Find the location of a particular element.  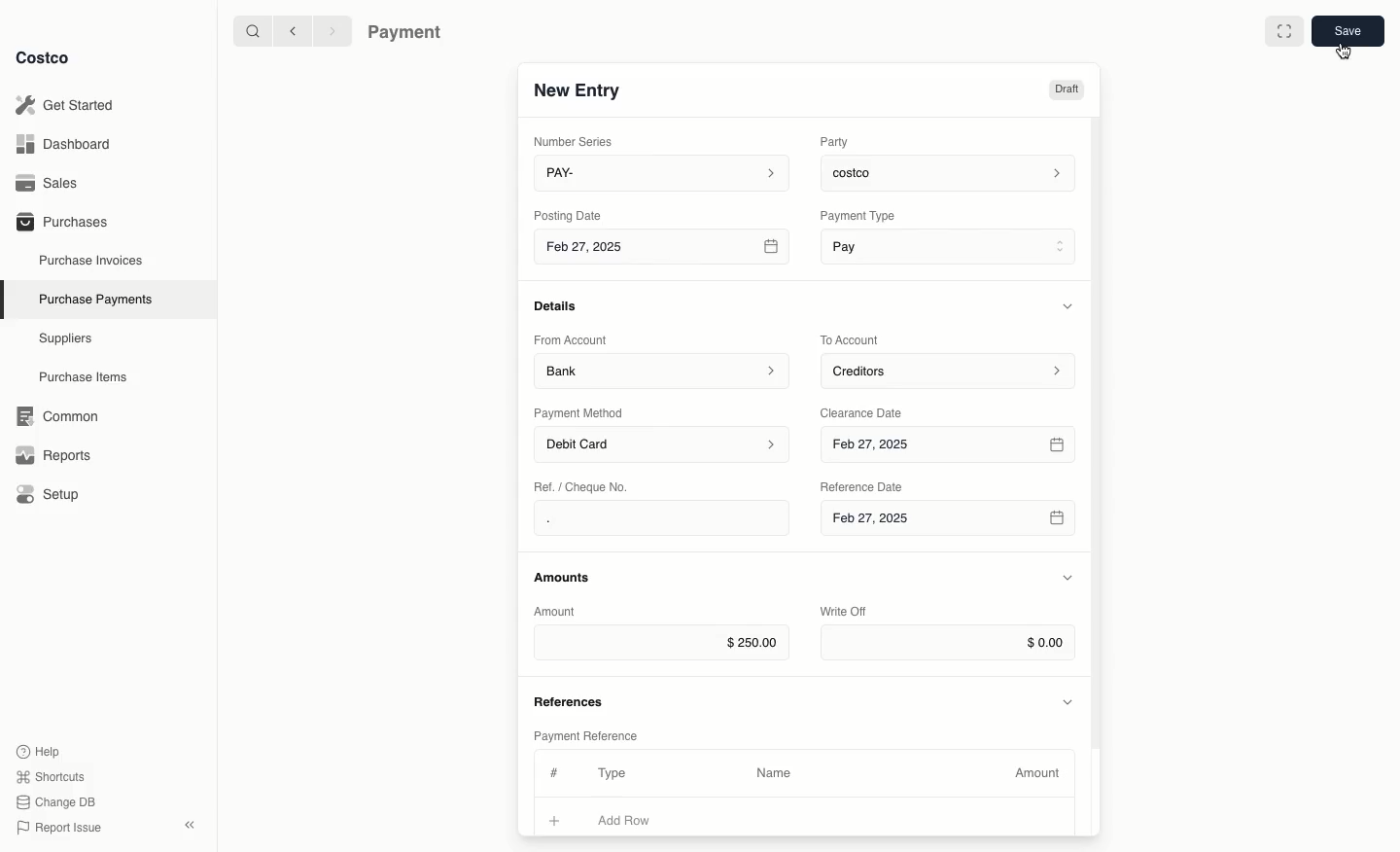

Amounts is located at coordinates (564, 577).